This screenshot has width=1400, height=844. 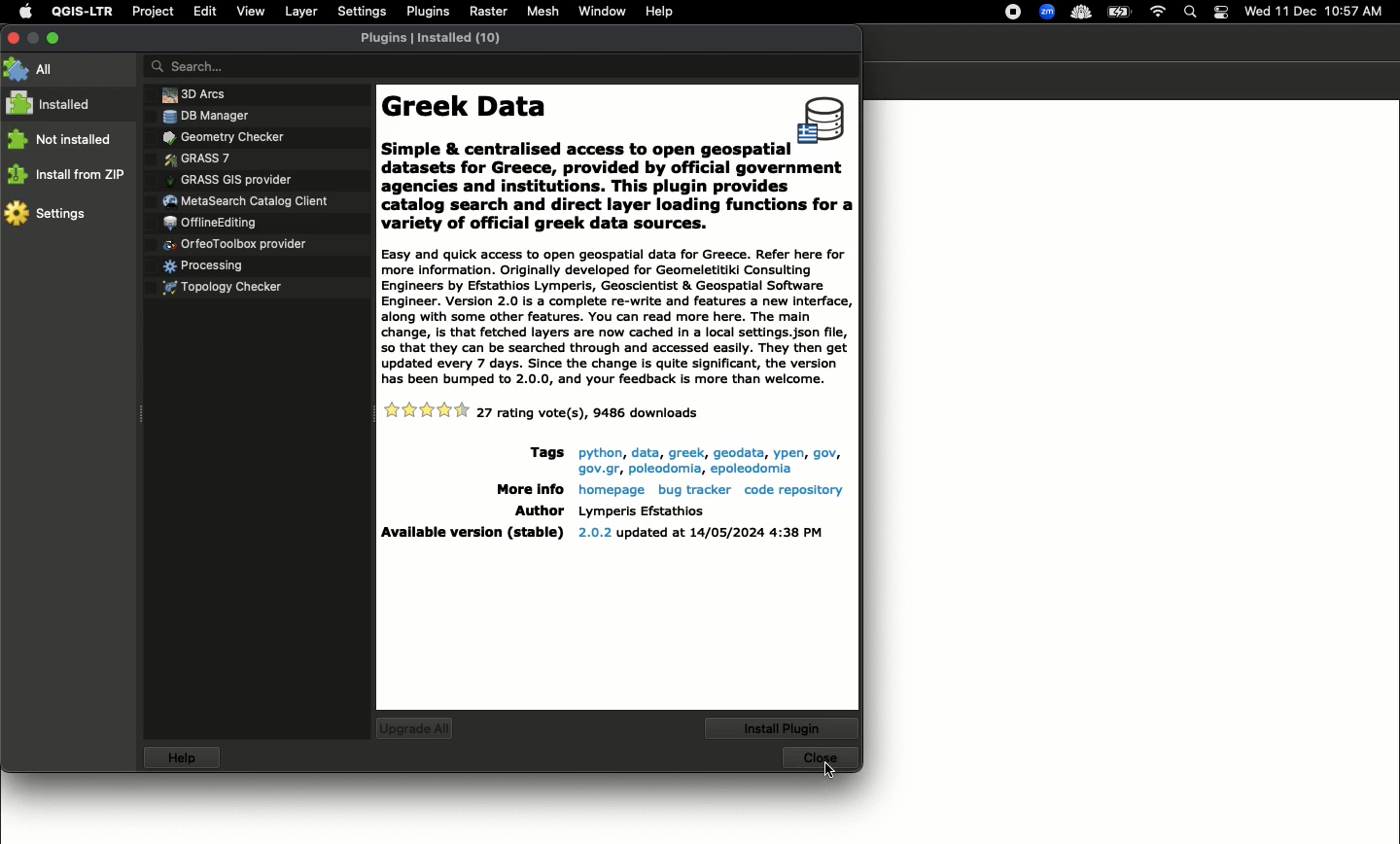 I want to click on Available version (stable), so click(x=472, y=534).